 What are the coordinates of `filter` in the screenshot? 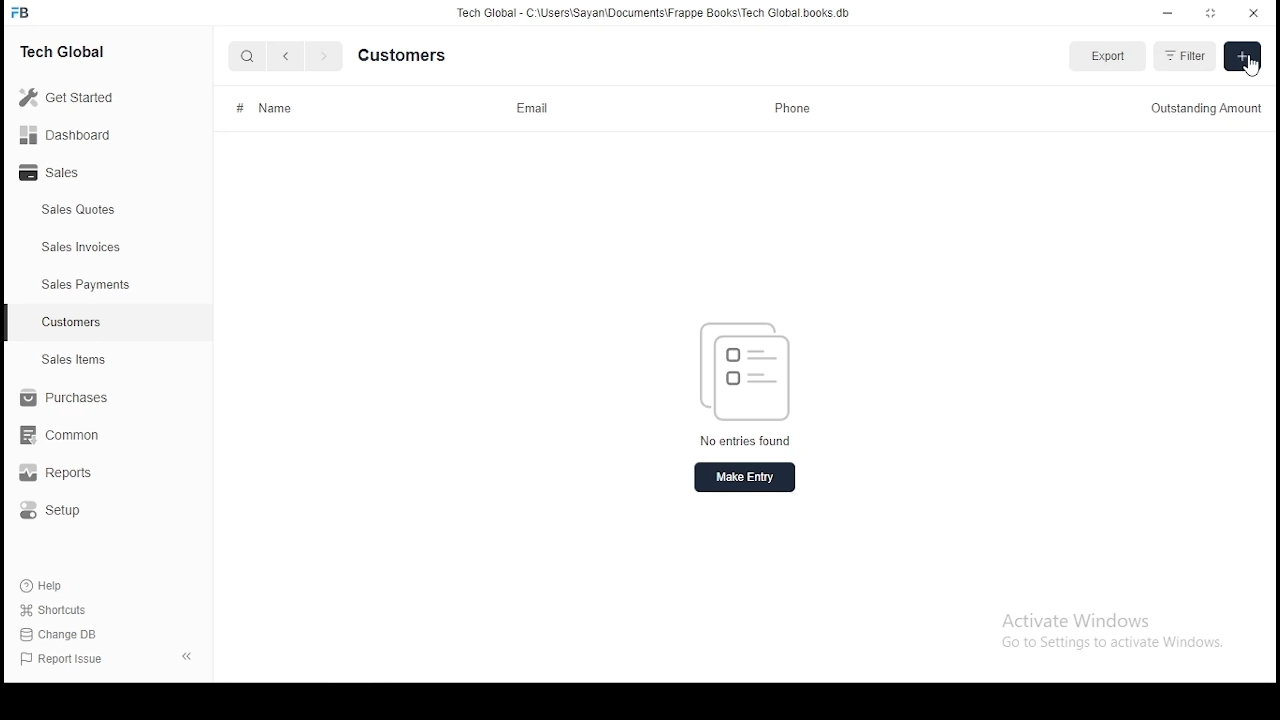 It's located at (1185, 55).